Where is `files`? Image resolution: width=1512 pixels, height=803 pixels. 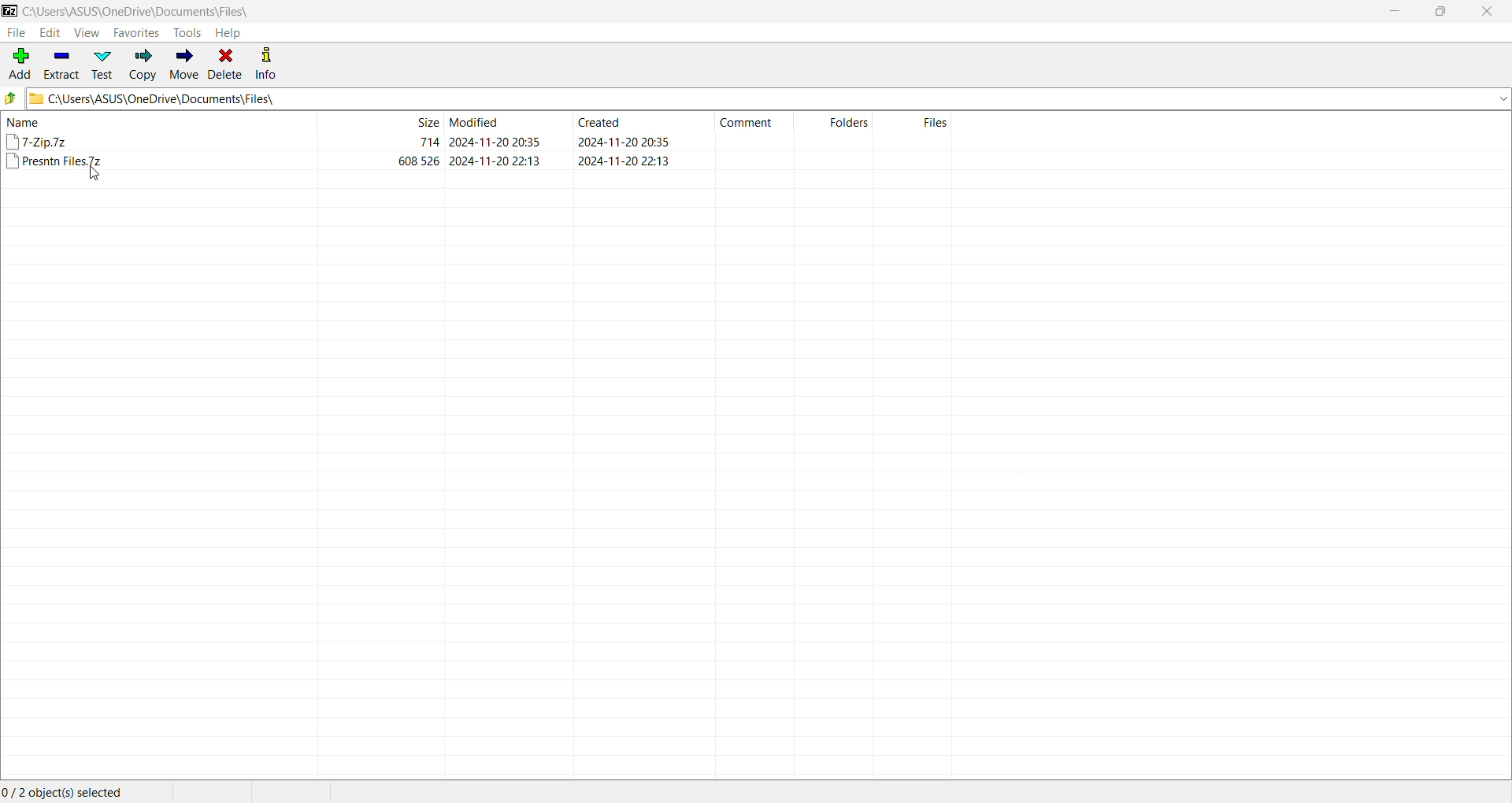 files is located at coordinates (936, 122).